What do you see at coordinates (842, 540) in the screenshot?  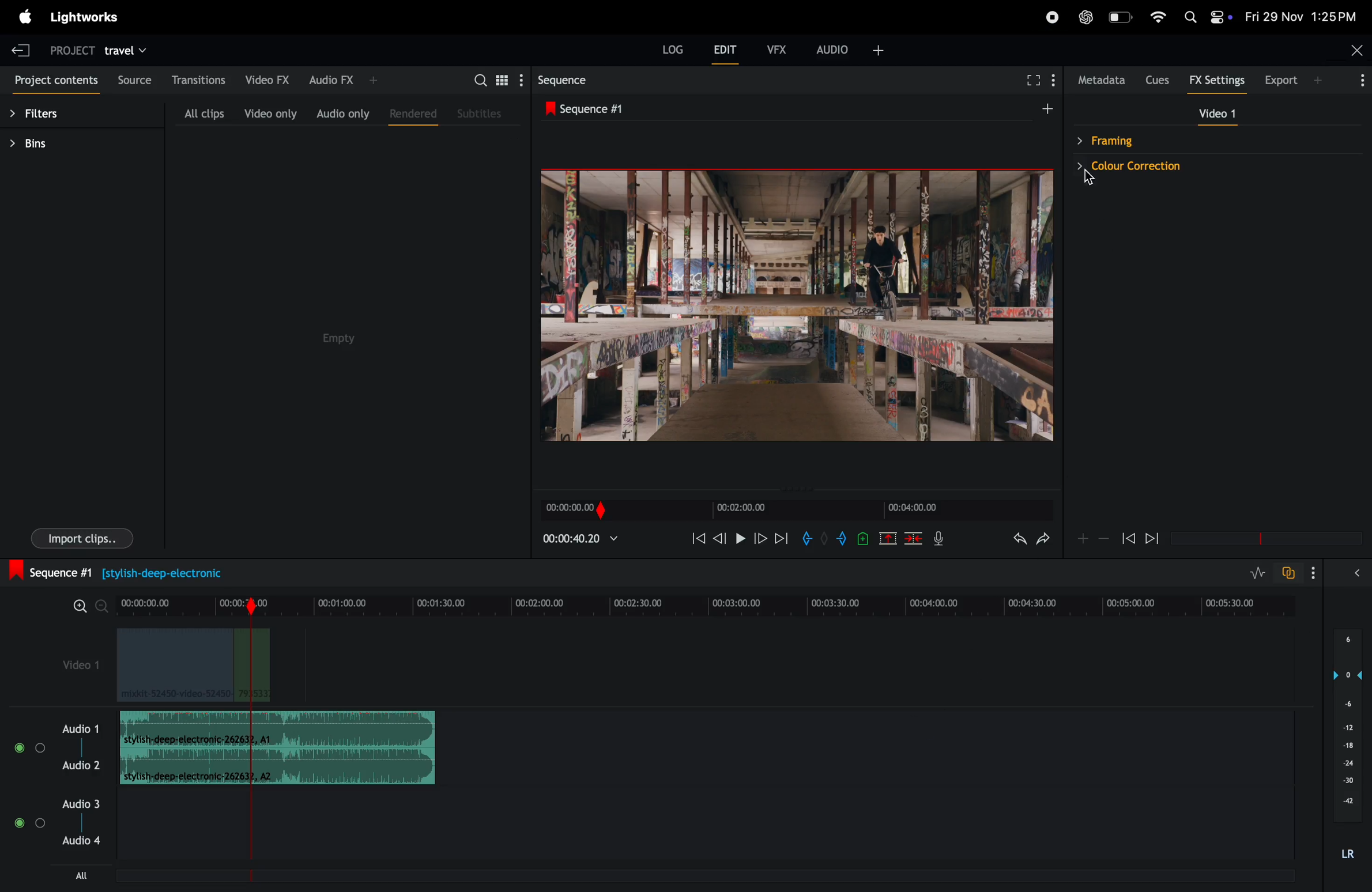 I see `add out mark to current position` at bounding box center [842, 540].